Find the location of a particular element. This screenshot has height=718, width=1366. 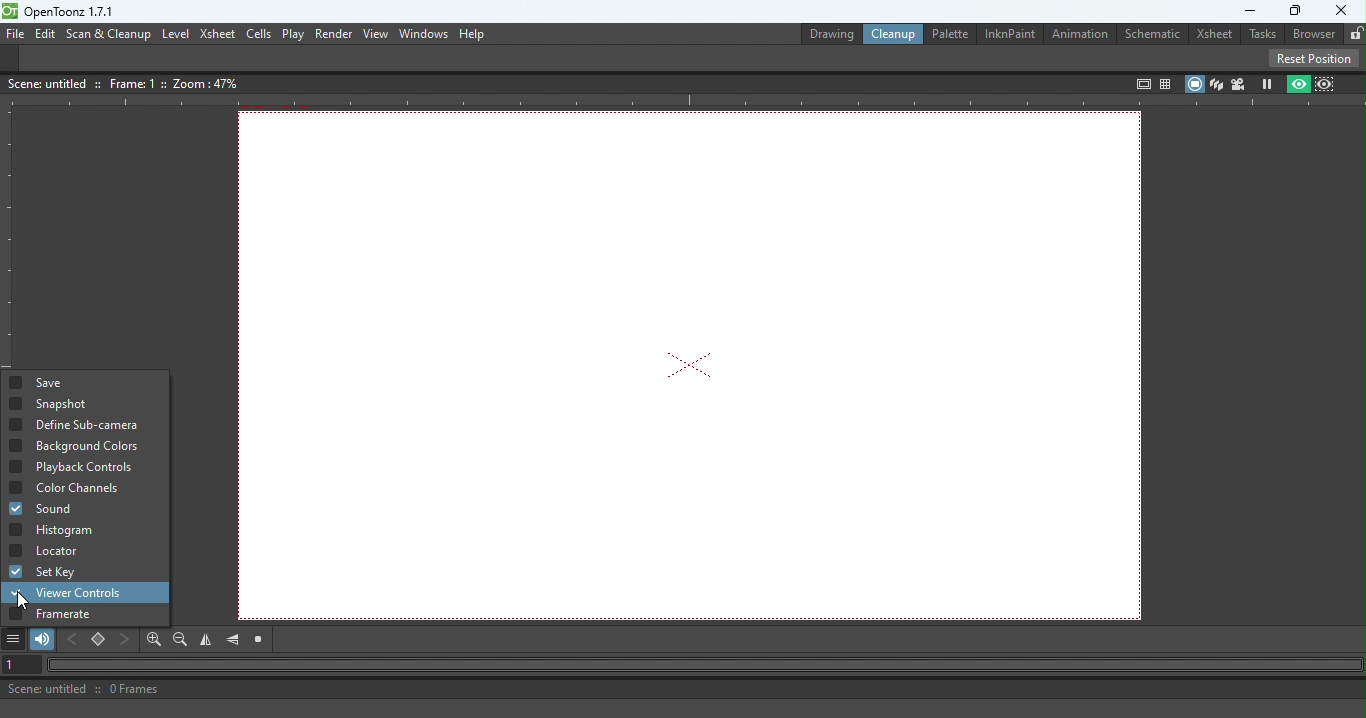

Schematic is located at coordinates (1155, 32).